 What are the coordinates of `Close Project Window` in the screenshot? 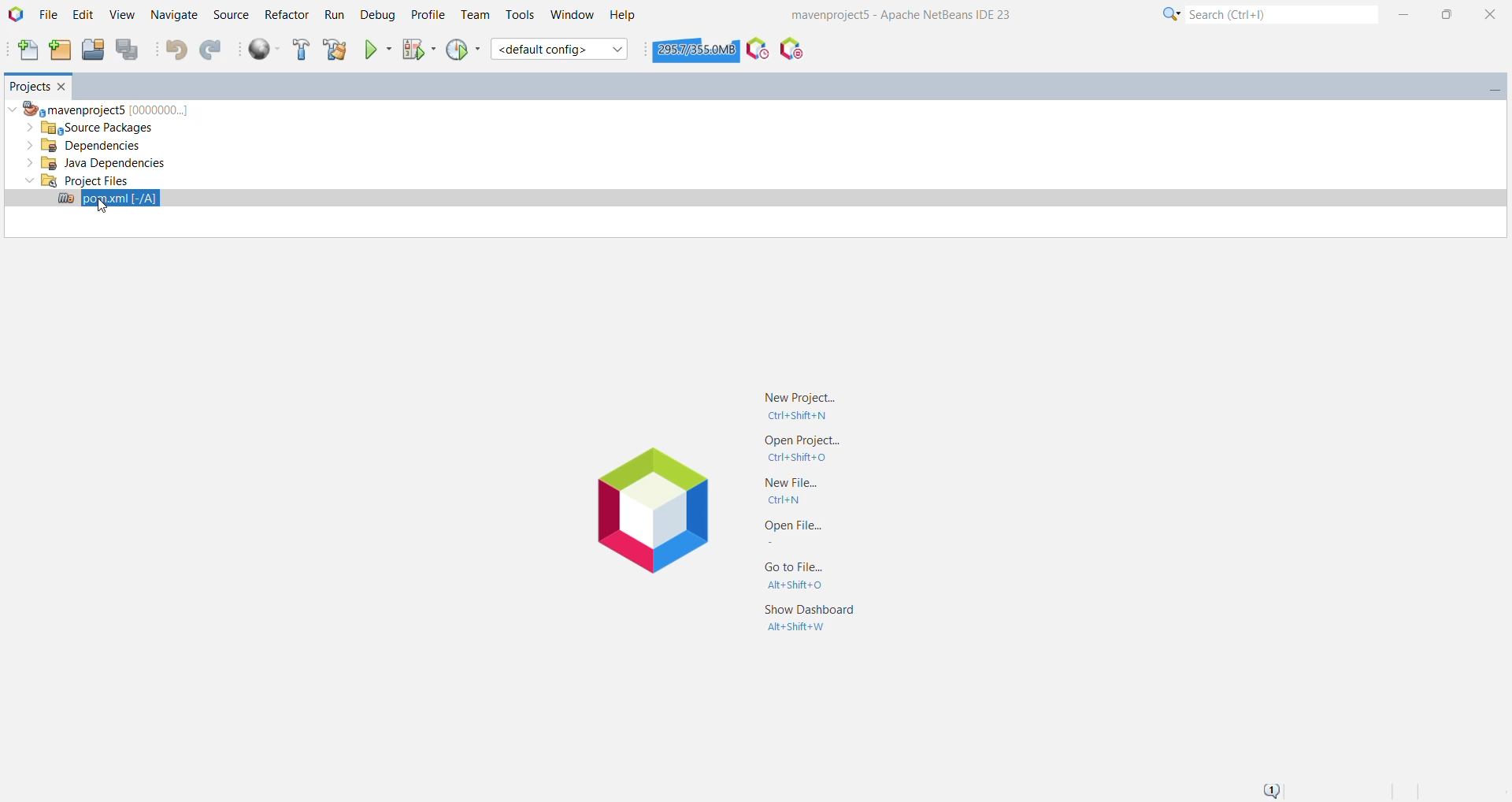 It's located at (64, 86).